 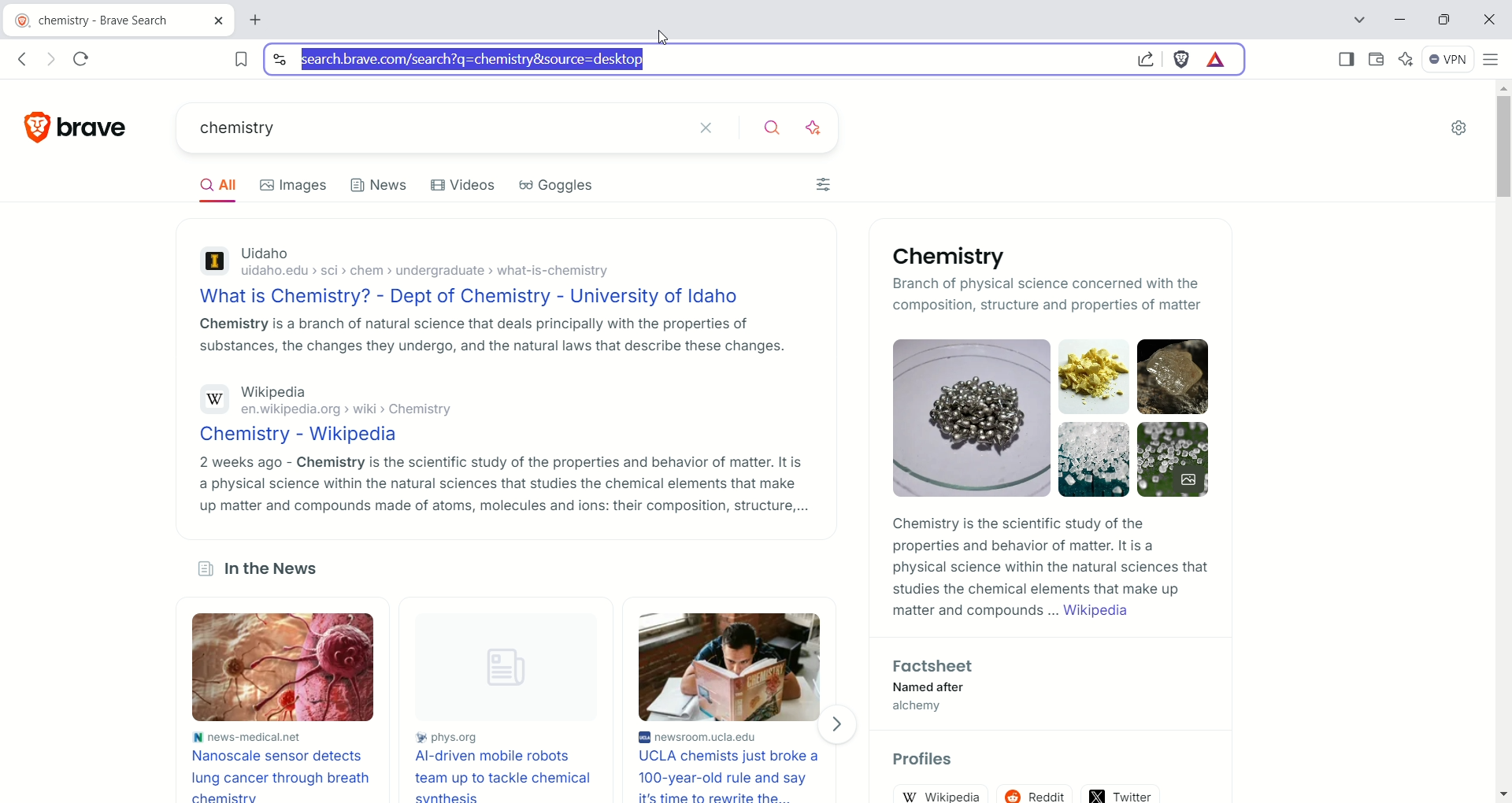 I want to click on Chemistry is the scientific study of the properties and behavior of matter. It is a physical science within the natural sciences that studies the chemical elements that make up matter and compounds ... Wikipedia, so click(x=1051, y=568).